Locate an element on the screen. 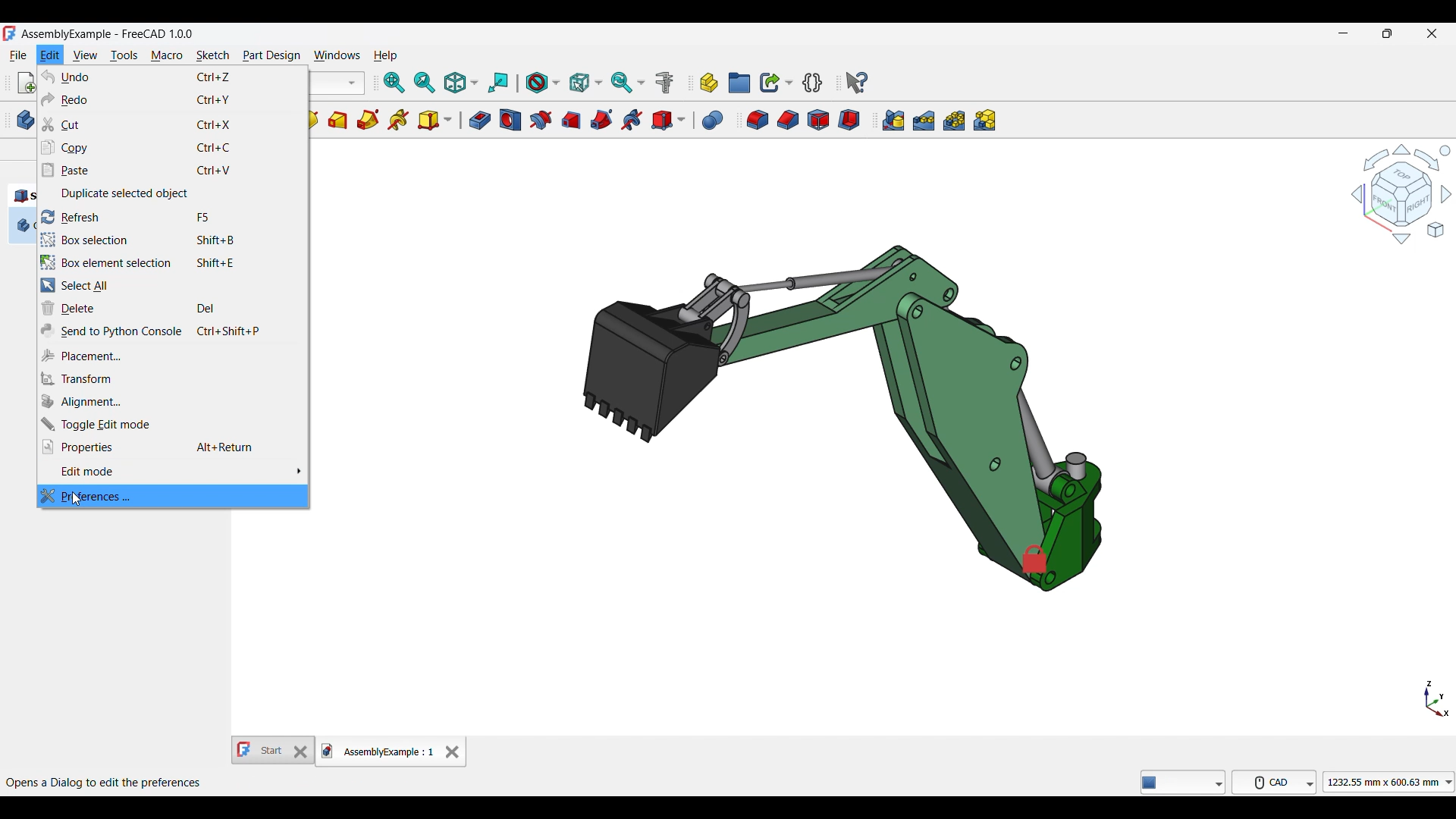  Sync view options is located at coordinates (627, 83).